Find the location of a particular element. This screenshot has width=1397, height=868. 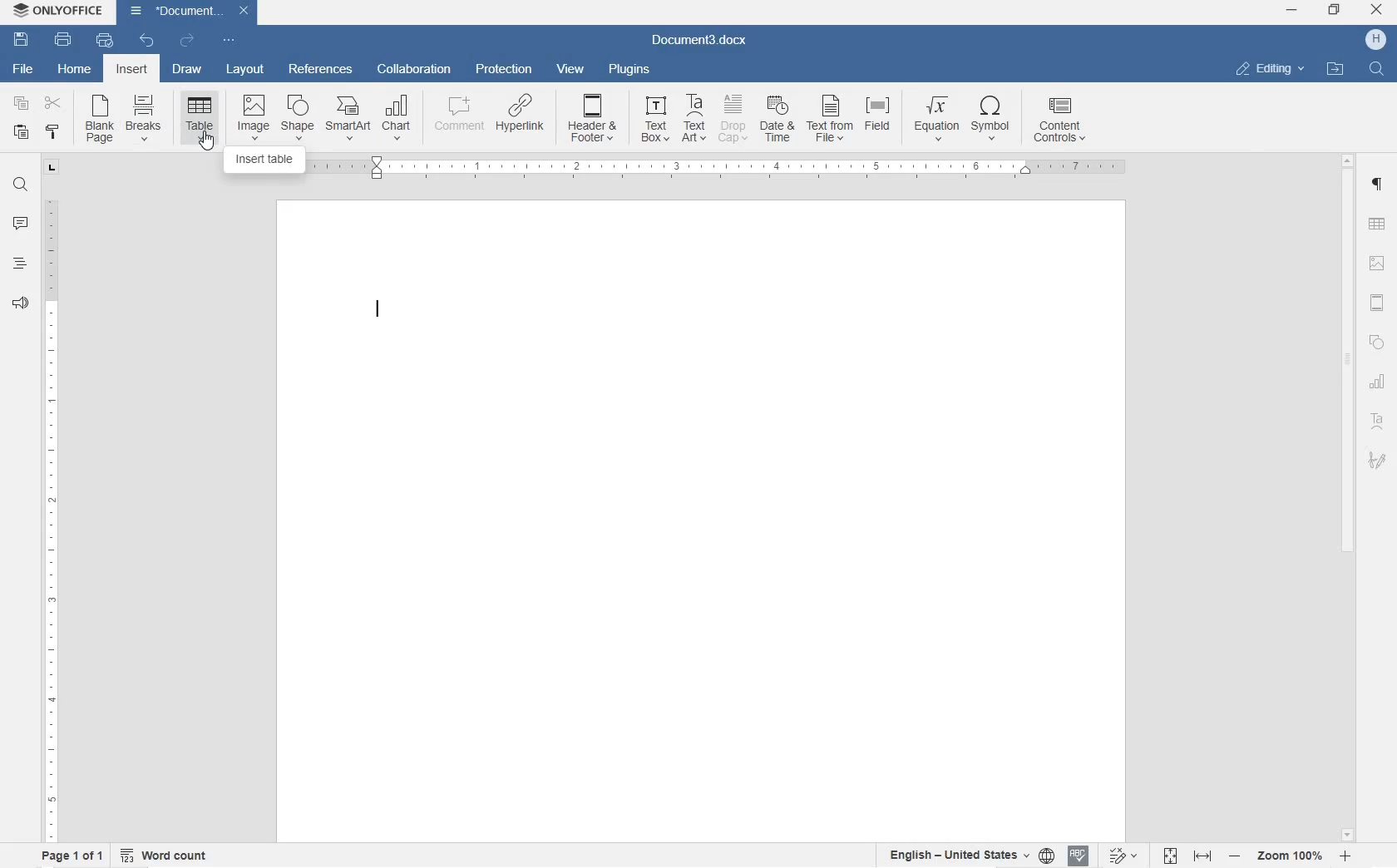

PROTECTION is located at coordinates (503, 71).